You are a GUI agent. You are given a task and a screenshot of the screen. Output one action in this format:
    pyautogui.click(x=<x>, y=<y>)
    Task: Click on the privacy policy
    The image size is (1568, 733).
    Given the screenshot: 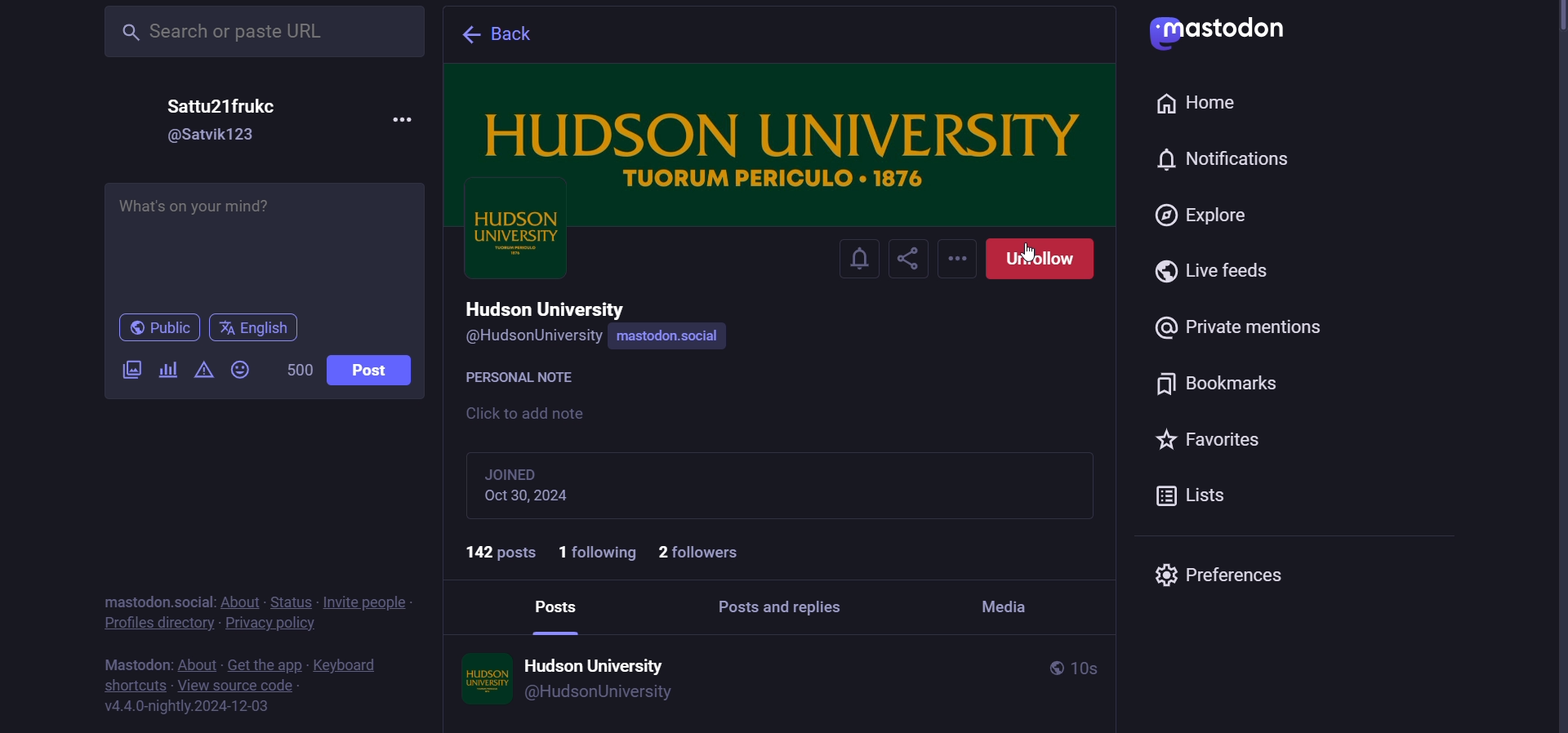 What is the action you would take?
    pyautogui.click(x=272, y=625)
    